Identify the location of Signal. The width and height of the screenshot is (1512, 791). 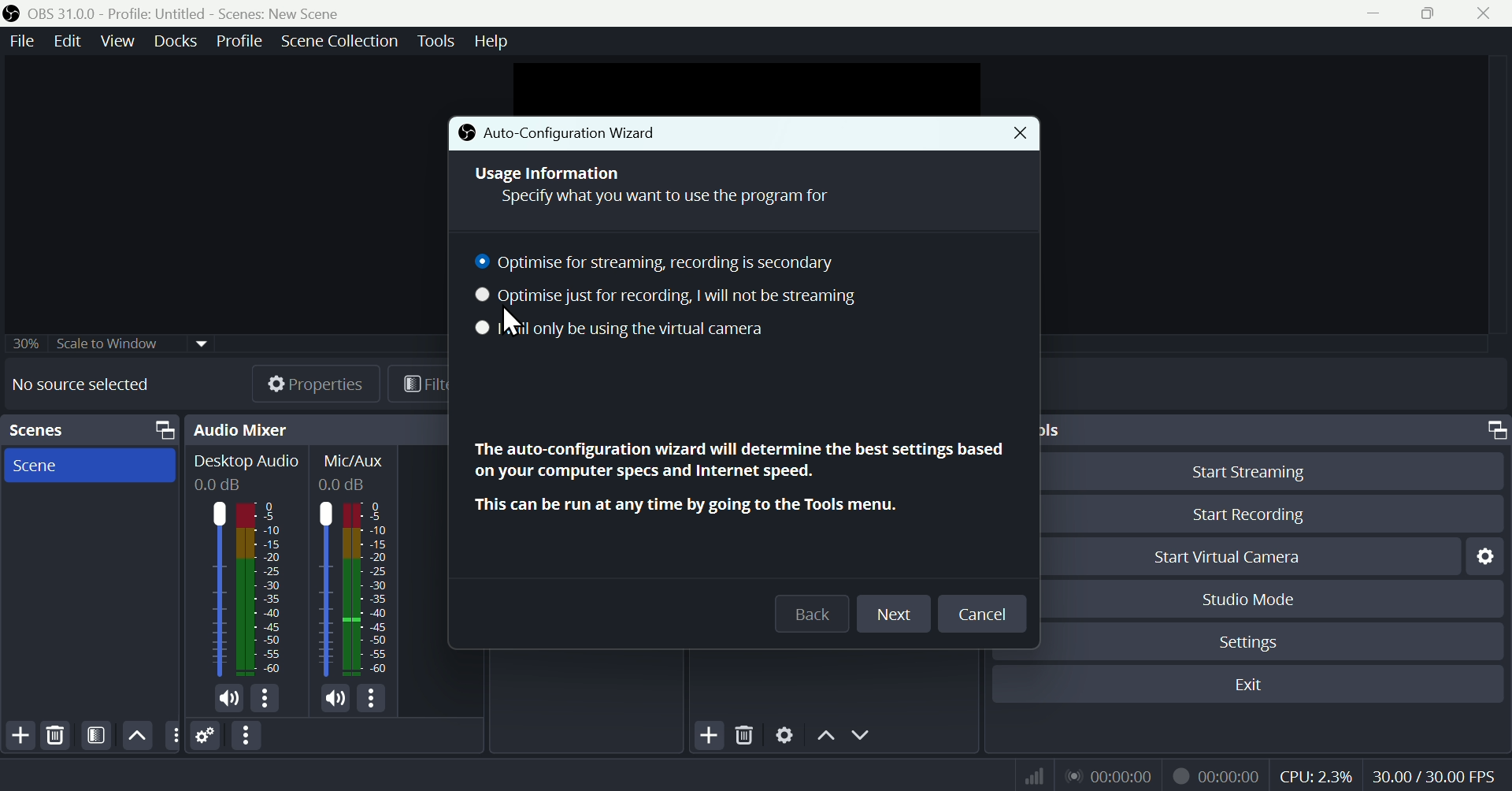
(1028, 775).